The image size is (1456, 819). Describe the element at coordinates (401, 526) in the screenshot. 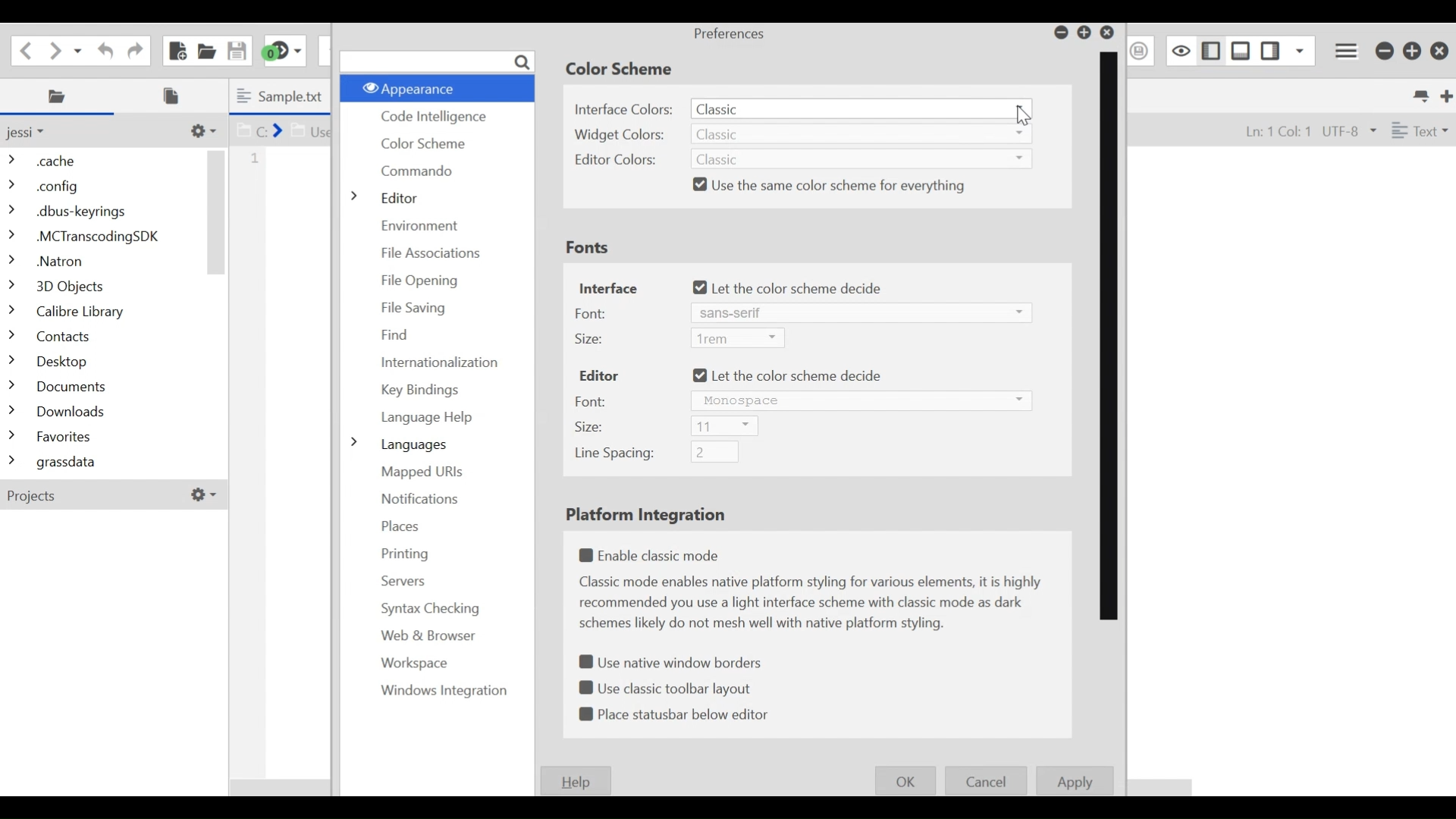

I see `Places` at that location.